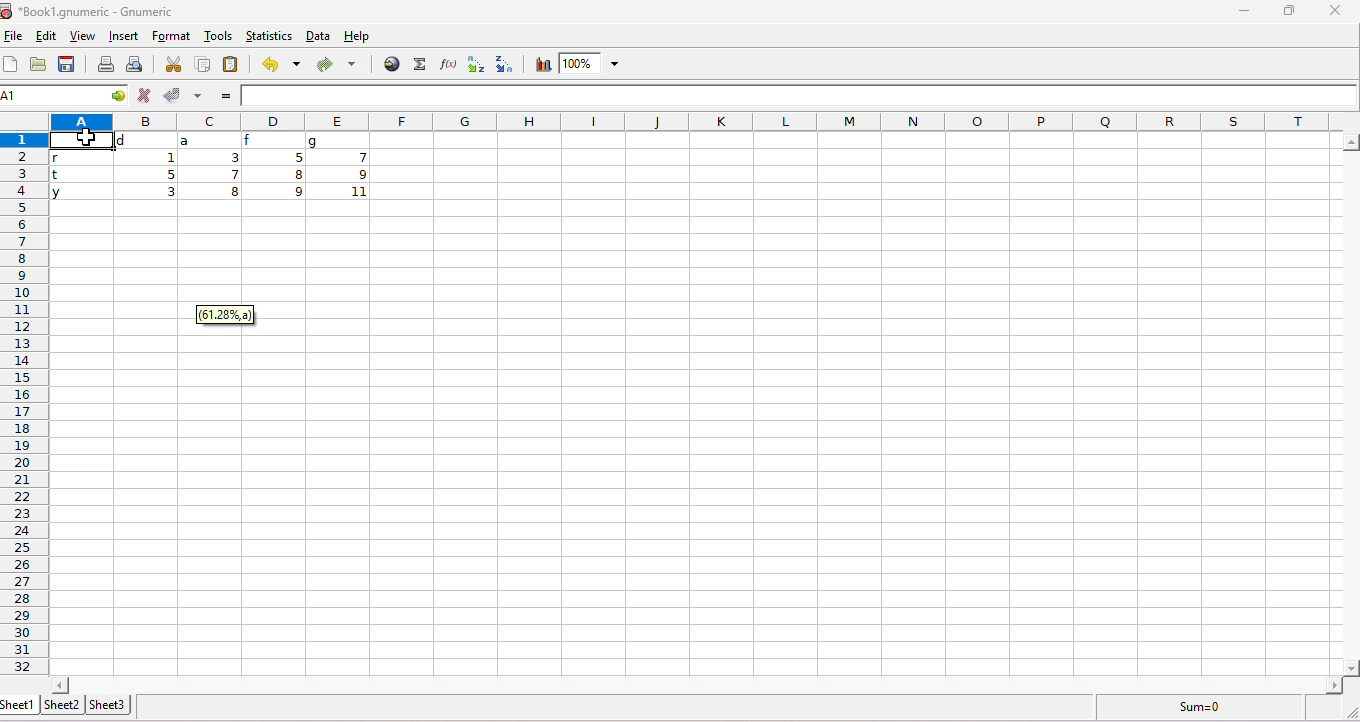  What do you see at coordinates (1241, 14) in the screenshot?
I see `minimize` at bounding box center [1241, 14].